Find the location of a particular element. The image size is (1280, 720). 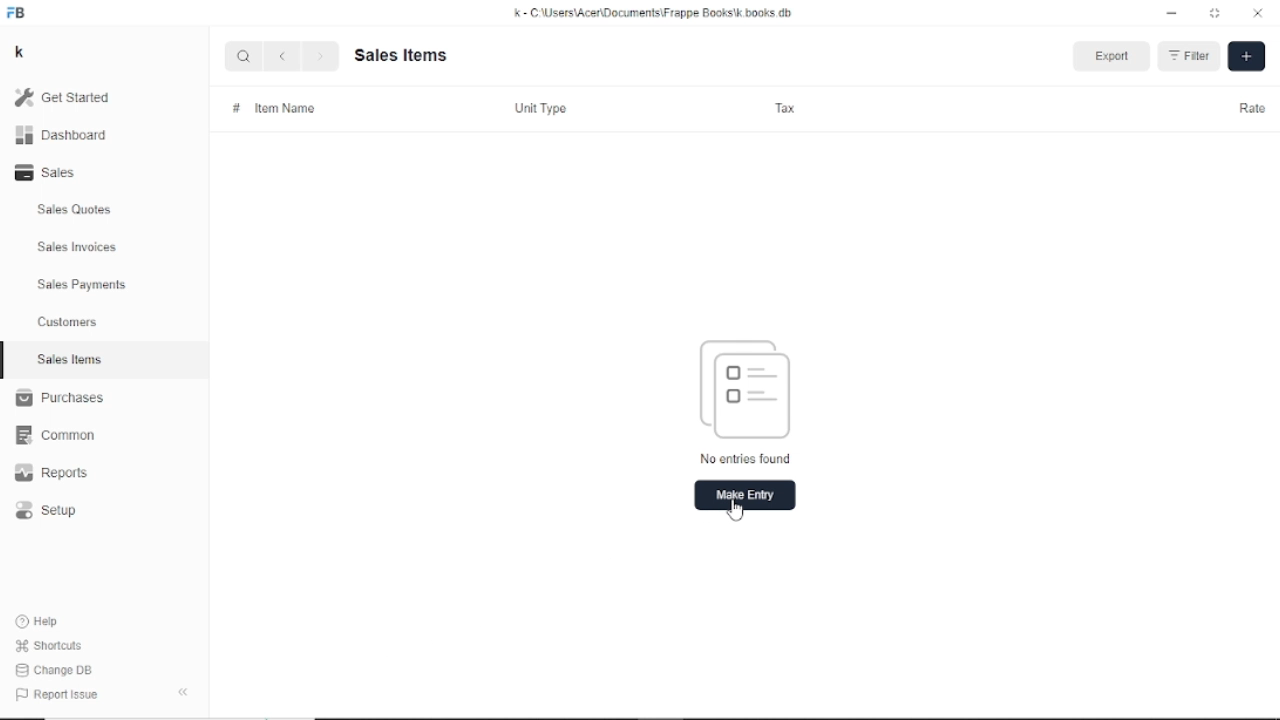

K -C\Users\Acer\Documents\ Frappe Books\k books db is located at coordinates (657, 13).